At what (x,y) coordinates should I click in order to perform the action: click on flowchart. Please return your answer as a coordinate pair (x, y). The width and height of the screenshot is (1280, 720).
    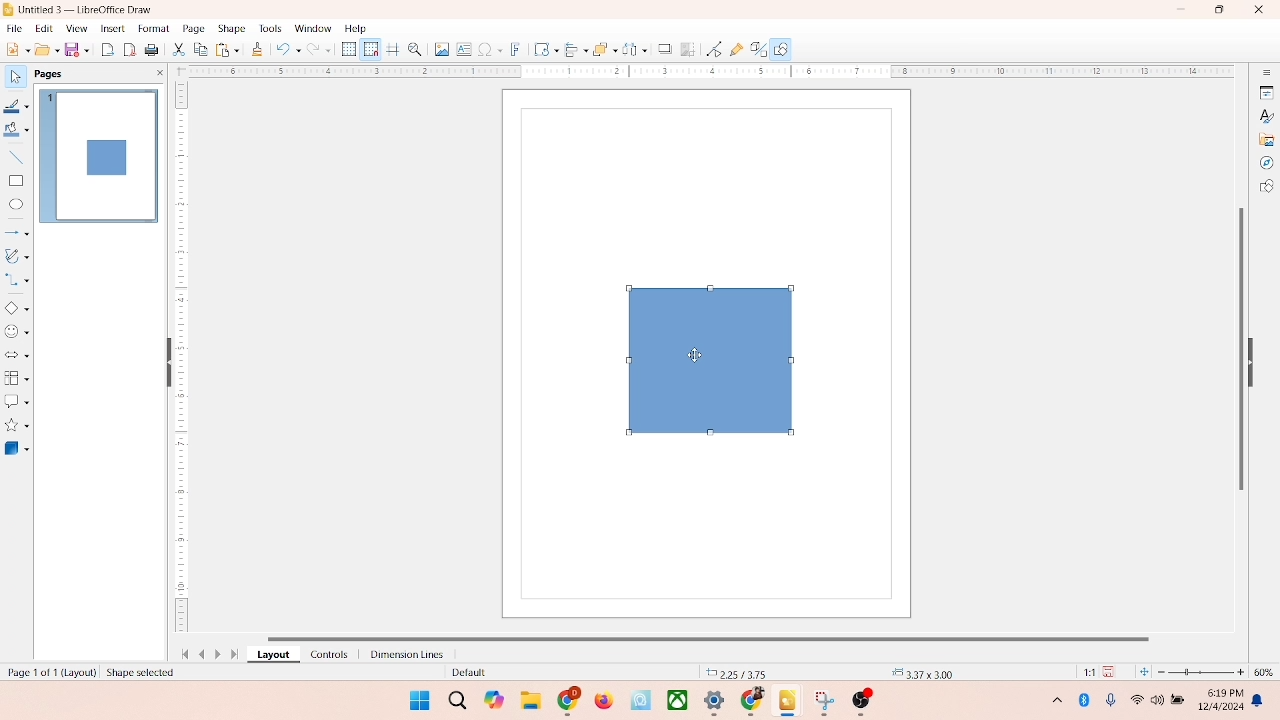
    Looking at the image, I should click on (16, 378).